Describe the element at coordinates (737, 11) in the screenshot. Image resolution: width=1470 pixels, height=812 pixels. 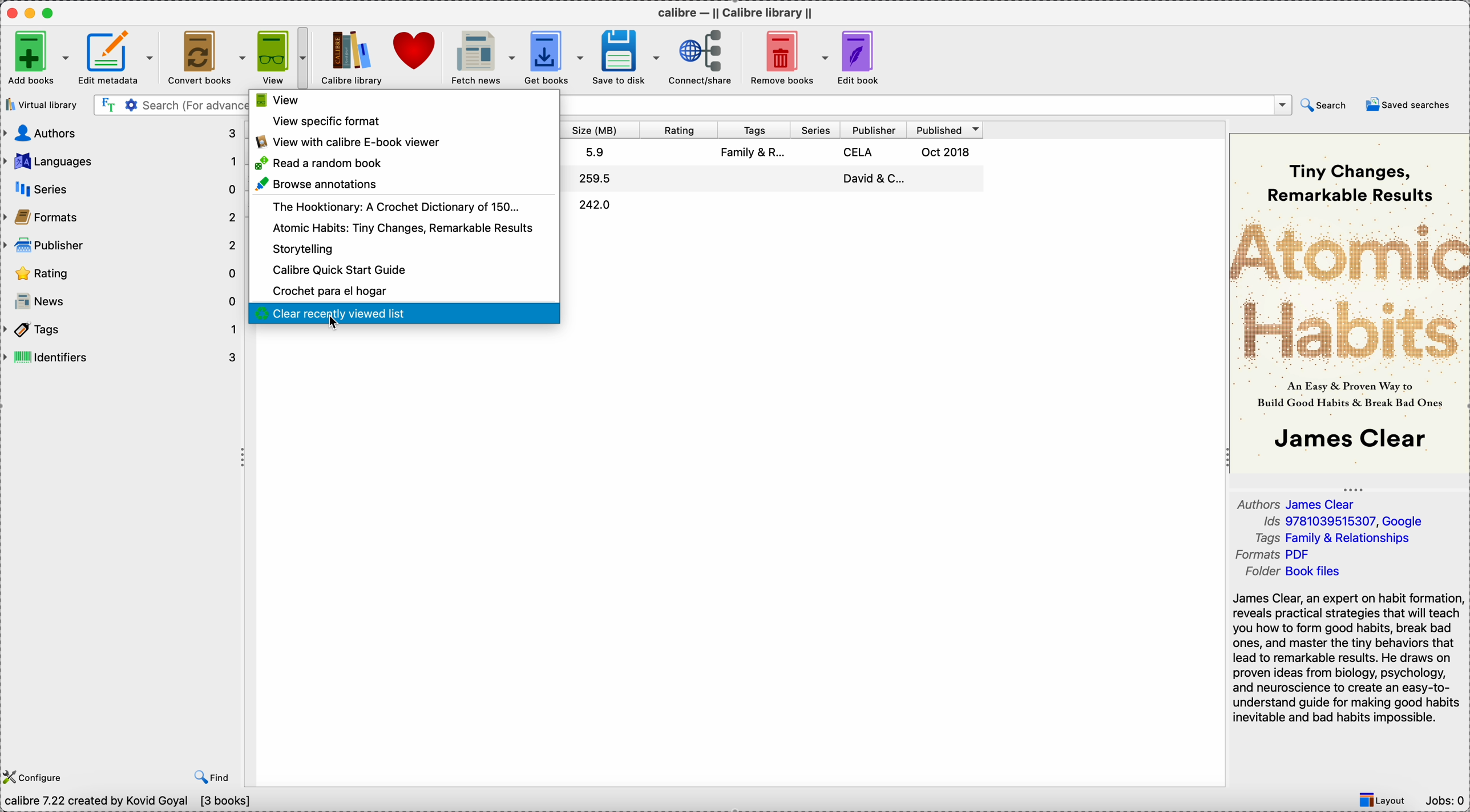
I see `calibre - || Calibre library ||` at that location.